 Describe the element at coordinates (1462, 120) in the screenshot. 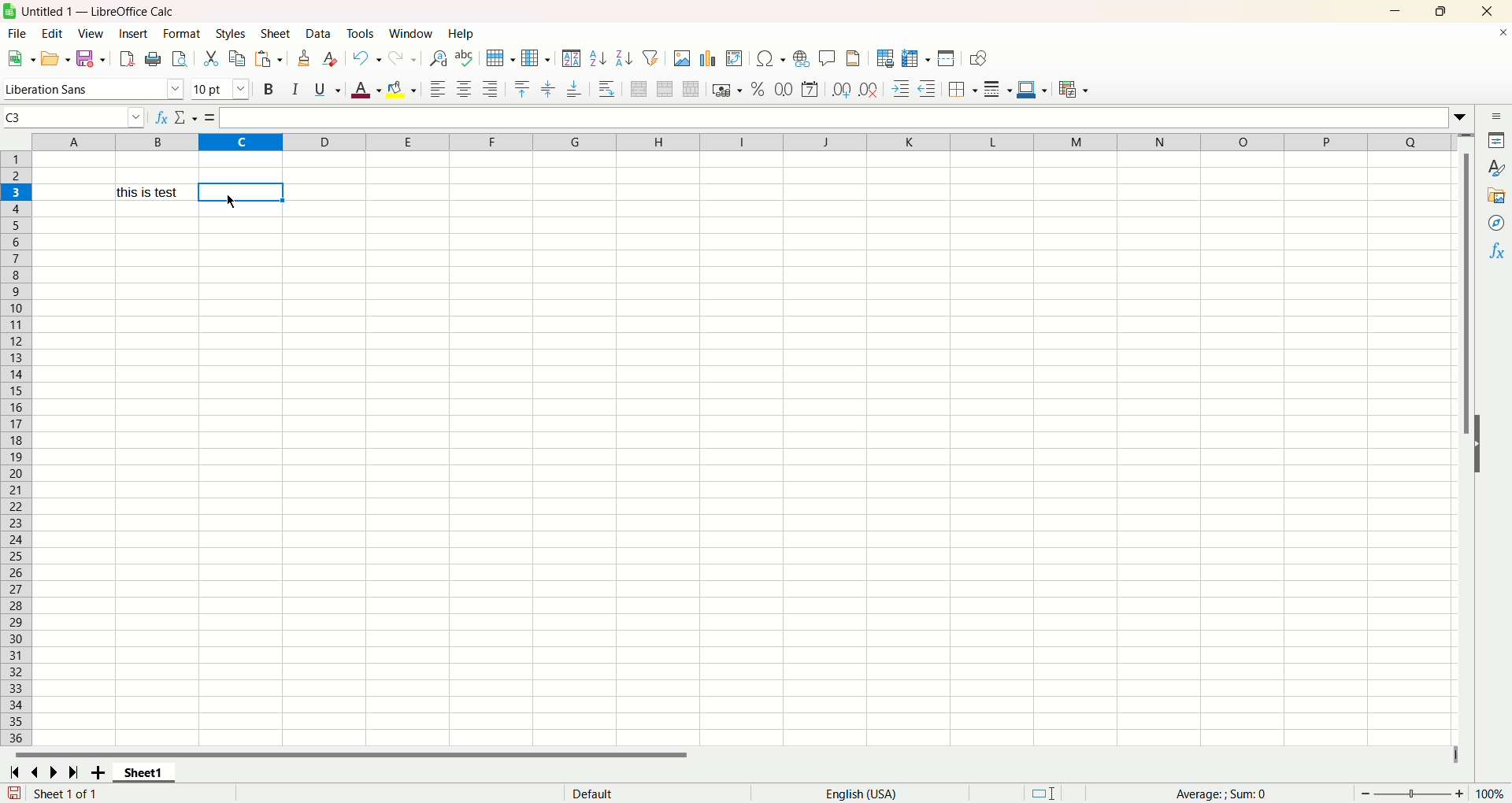

I see `Expand fuction bar` at that location.